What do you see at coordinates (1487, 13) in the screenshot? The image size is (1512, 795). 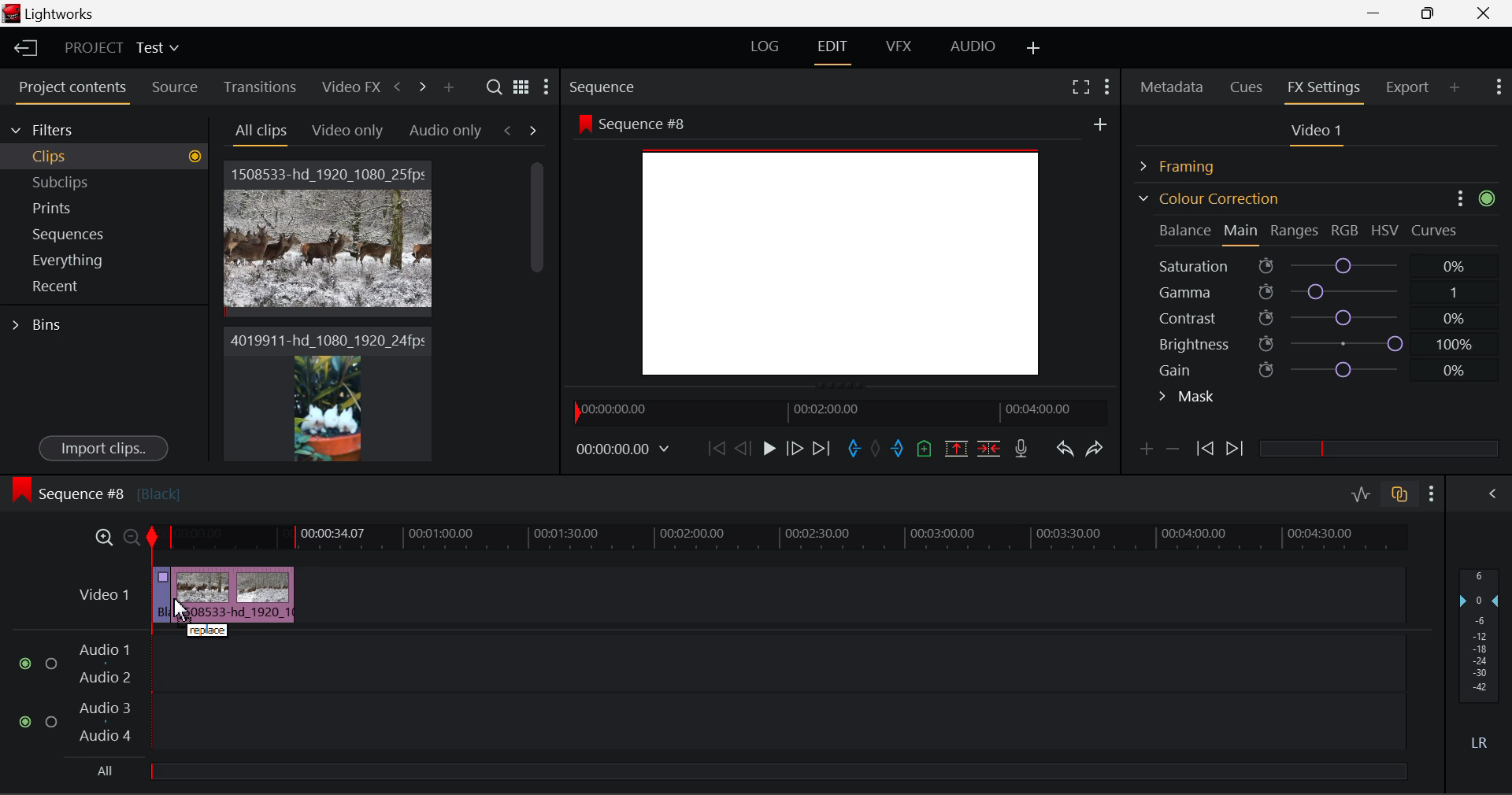 I see `Close` at bounding box center [1487, 13].